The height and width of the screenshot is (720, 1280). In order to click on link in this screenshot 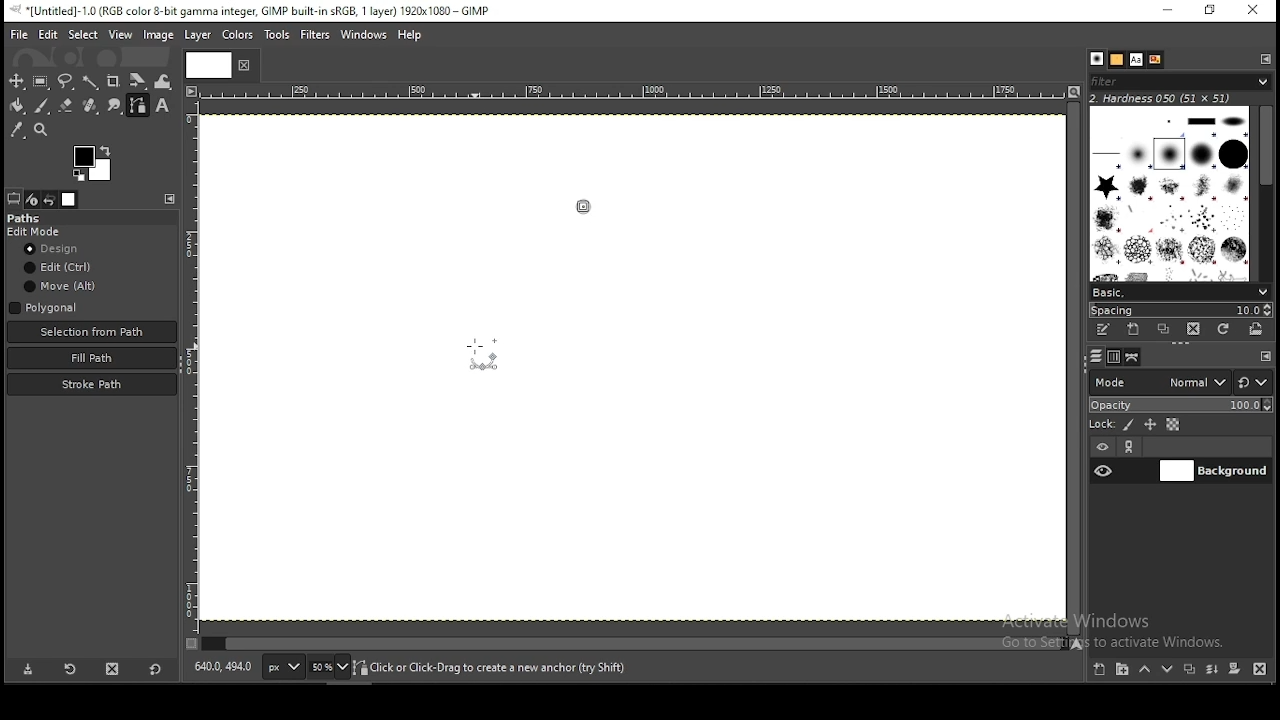, I will do `click(1131, 447)`.